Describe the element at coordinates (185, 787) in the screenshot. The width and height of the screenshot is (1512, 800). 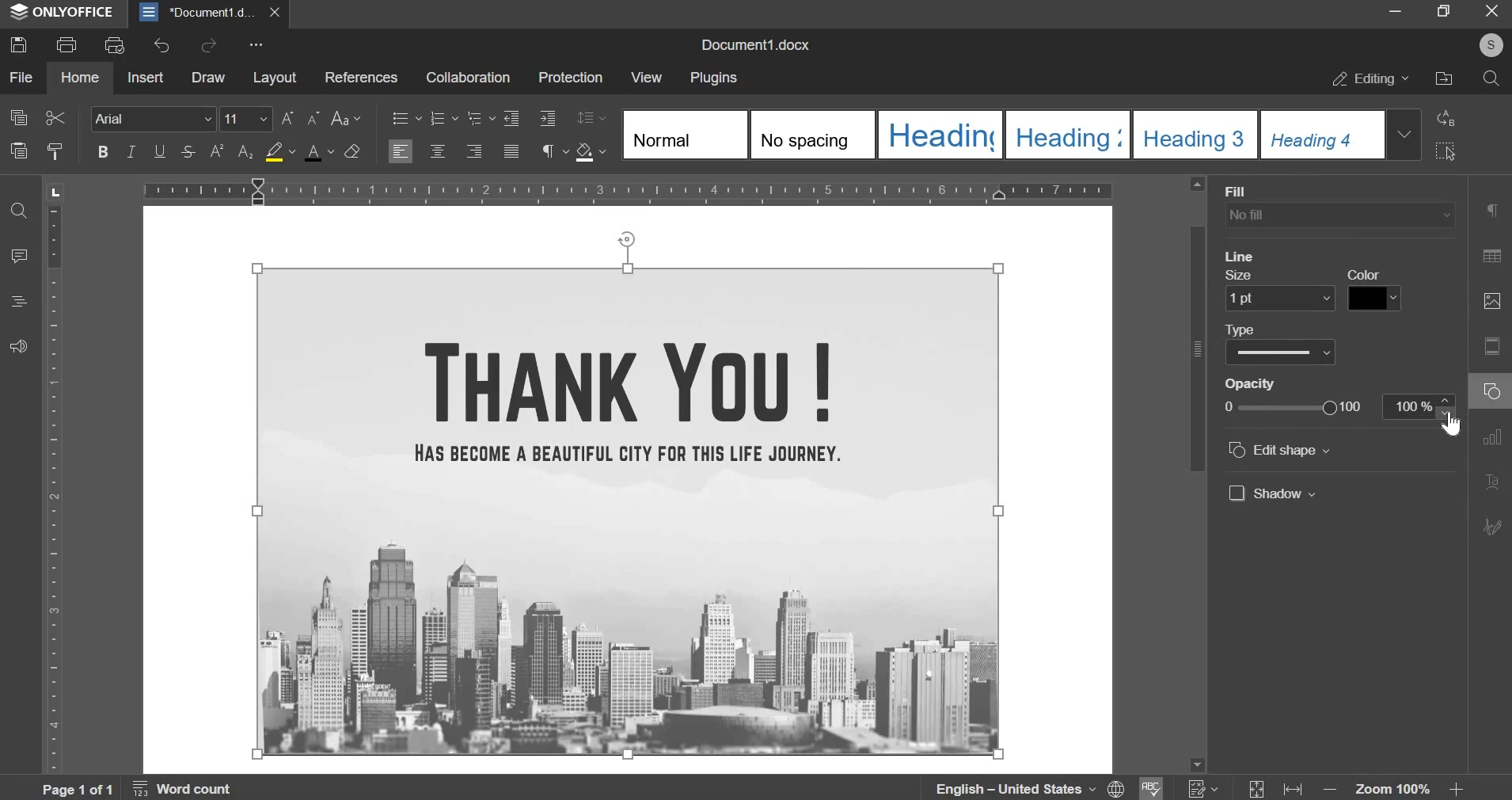
I see `Word Count` at that location.